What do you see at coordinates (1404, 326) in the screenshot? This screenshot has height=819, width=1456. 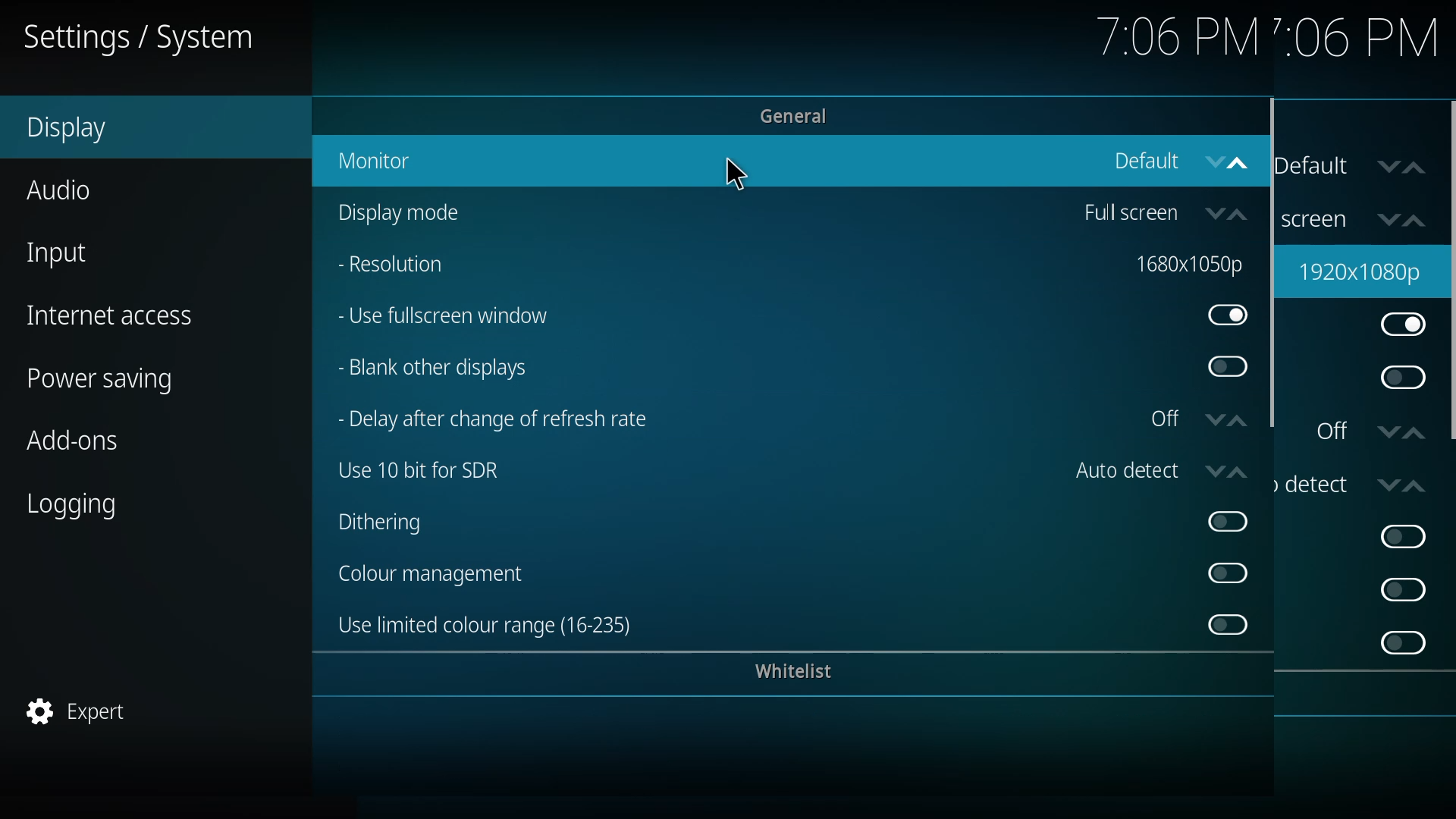 I see `enabled` at bounding box center [1404, 326].